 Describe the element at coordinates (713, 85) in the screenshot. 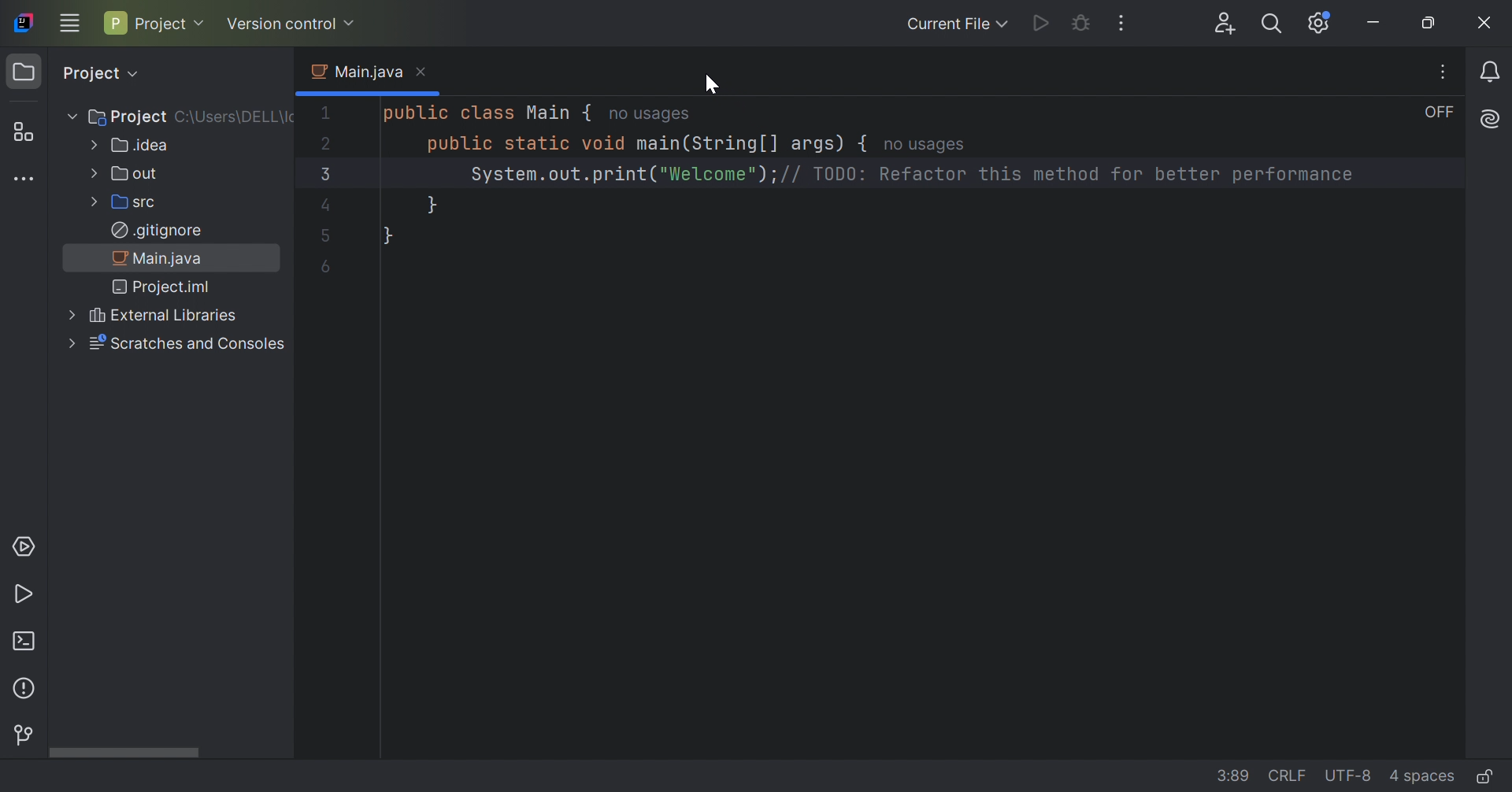

I see `Cursor` at that location.